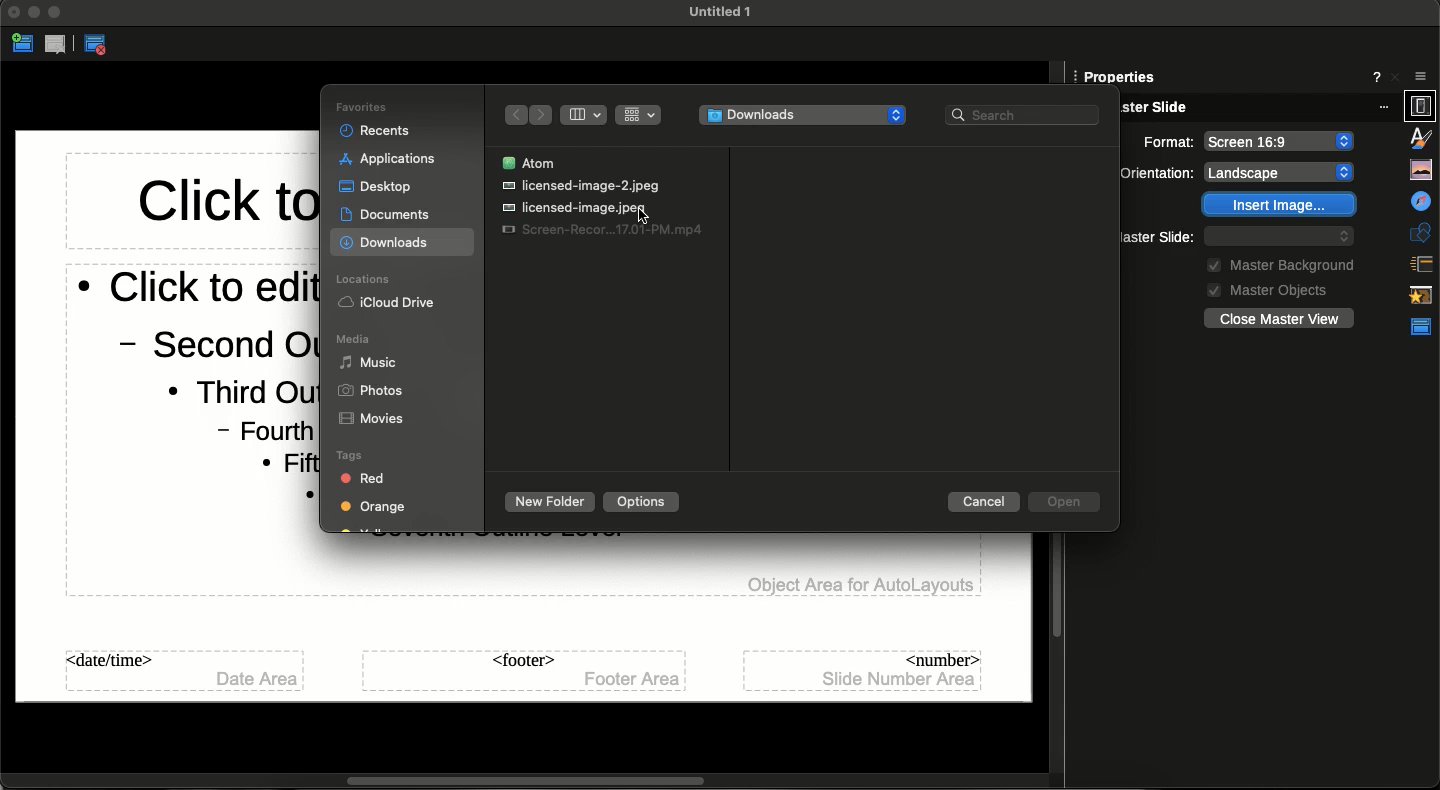 The width and height of the screenshot is (1440, 790). Describe the element at coordinates (1258, 287) in the screenshot. I see `Master objects` at that location.